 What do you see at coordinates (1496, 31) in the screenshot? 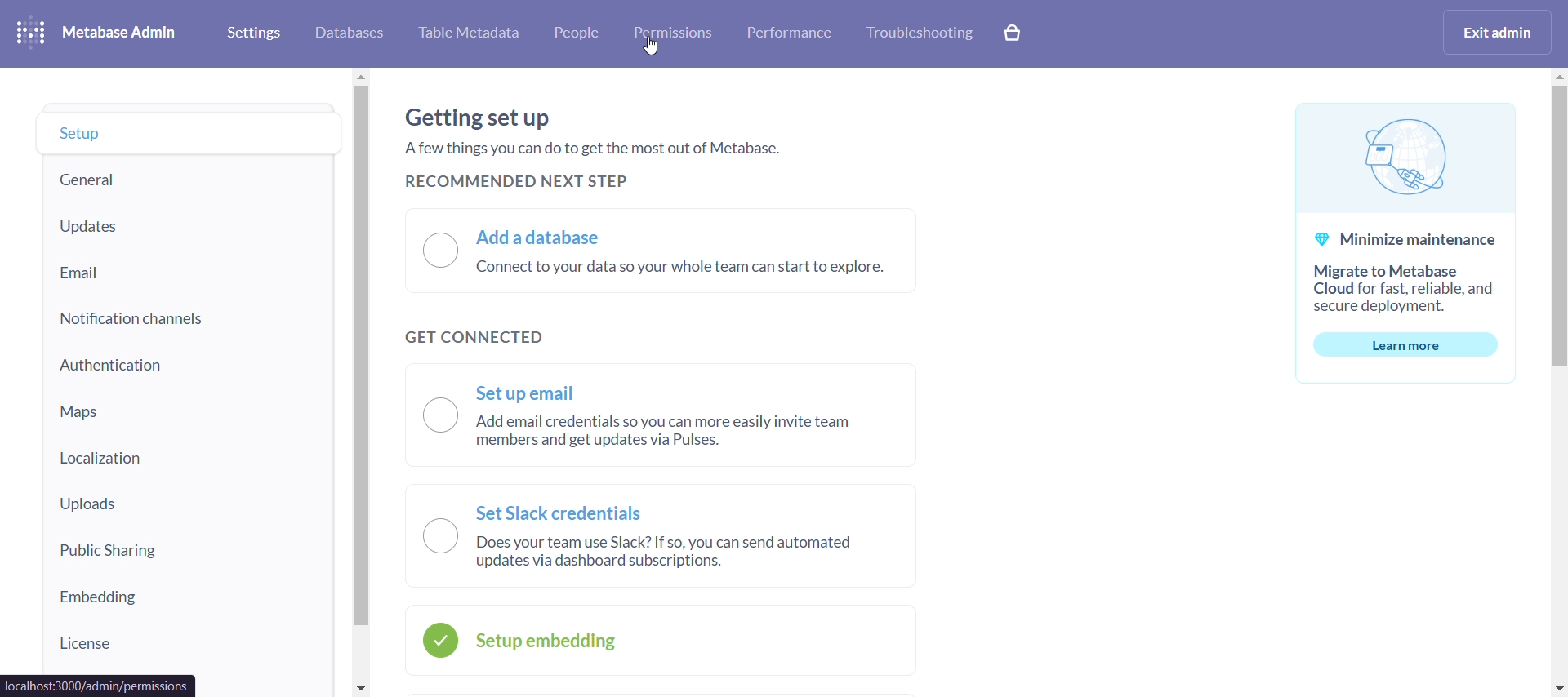
I see `exit admin` at bounding box center [1496, 31].